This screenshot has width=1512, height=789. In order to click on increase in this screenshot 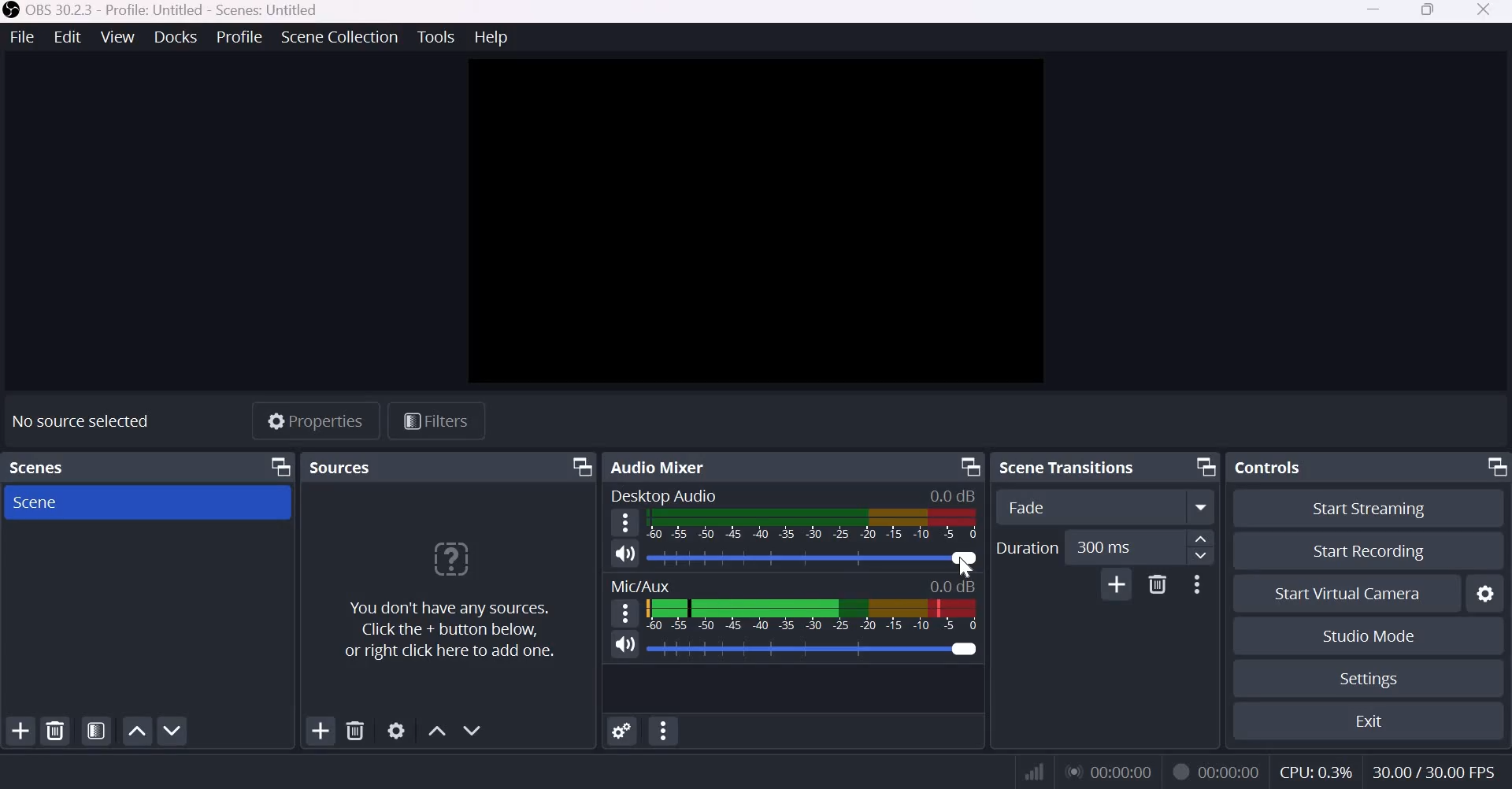, I will do `click(1202, 540)`.